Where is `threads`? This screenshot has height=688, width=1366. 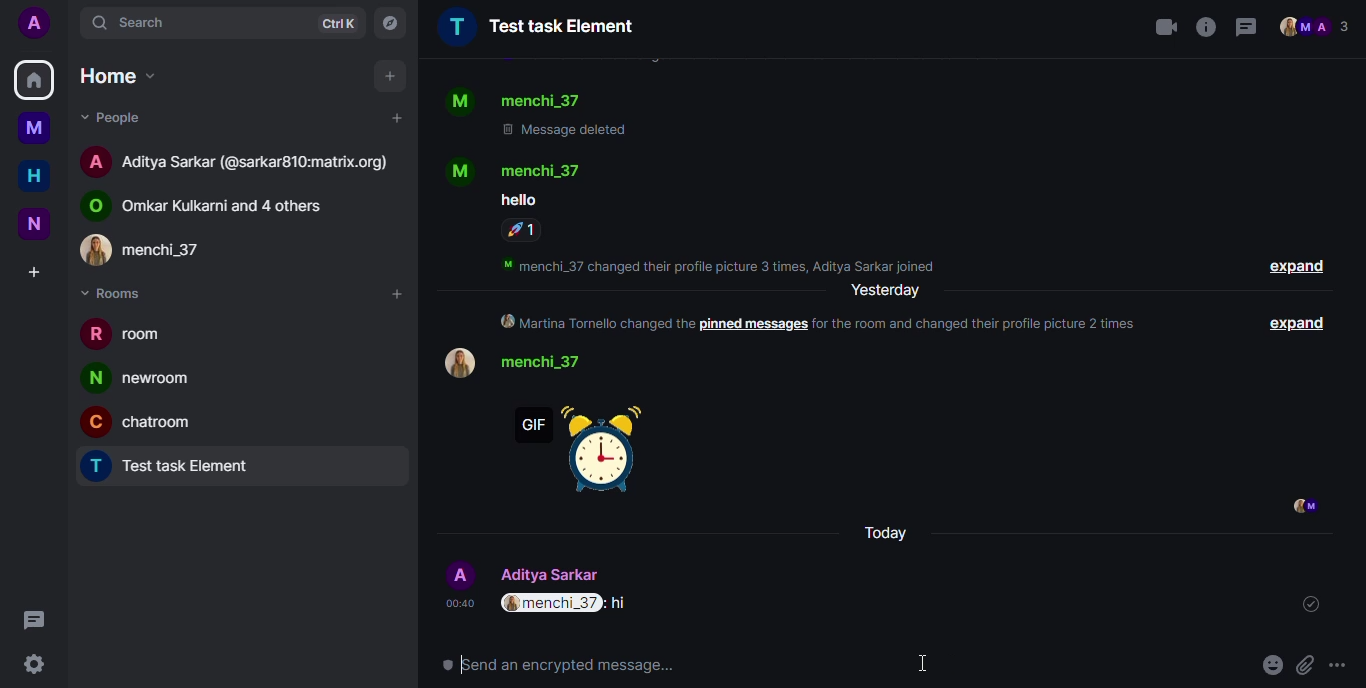 threads is located at coordinates (35, 622).